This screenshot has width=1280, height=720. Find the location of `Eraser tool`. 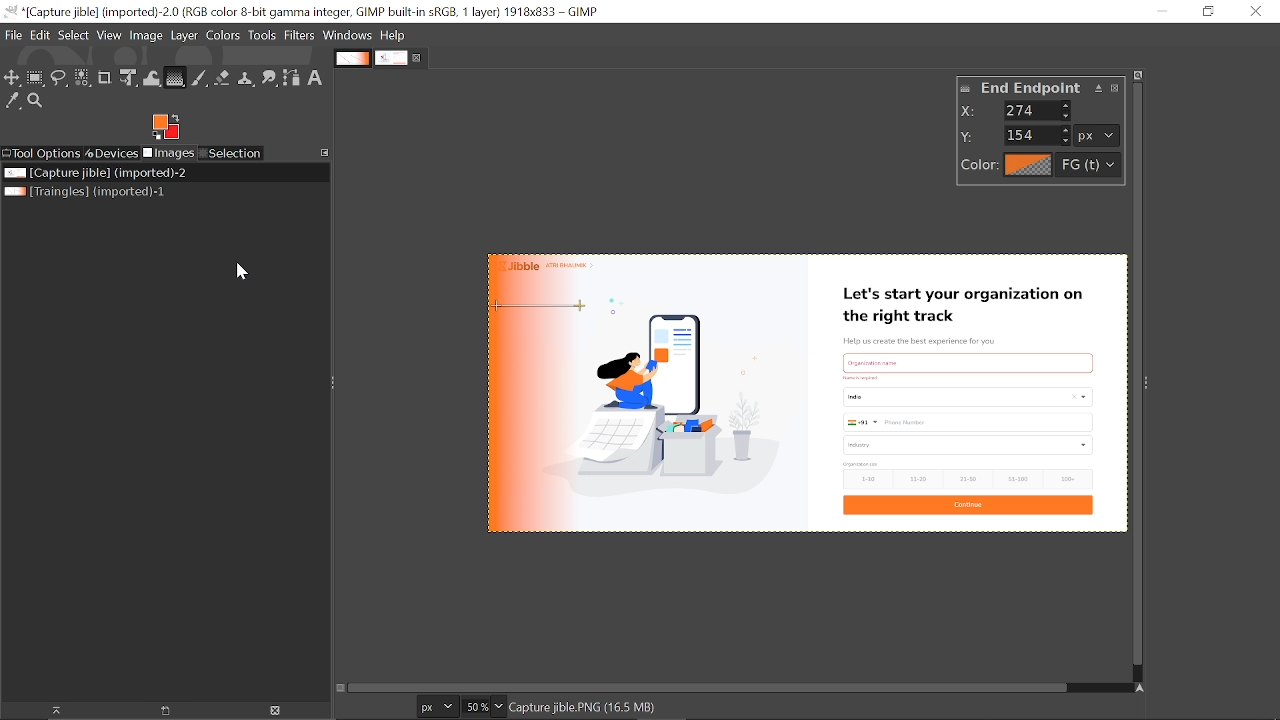

Eraser tool is located at coordinates (222, 78).